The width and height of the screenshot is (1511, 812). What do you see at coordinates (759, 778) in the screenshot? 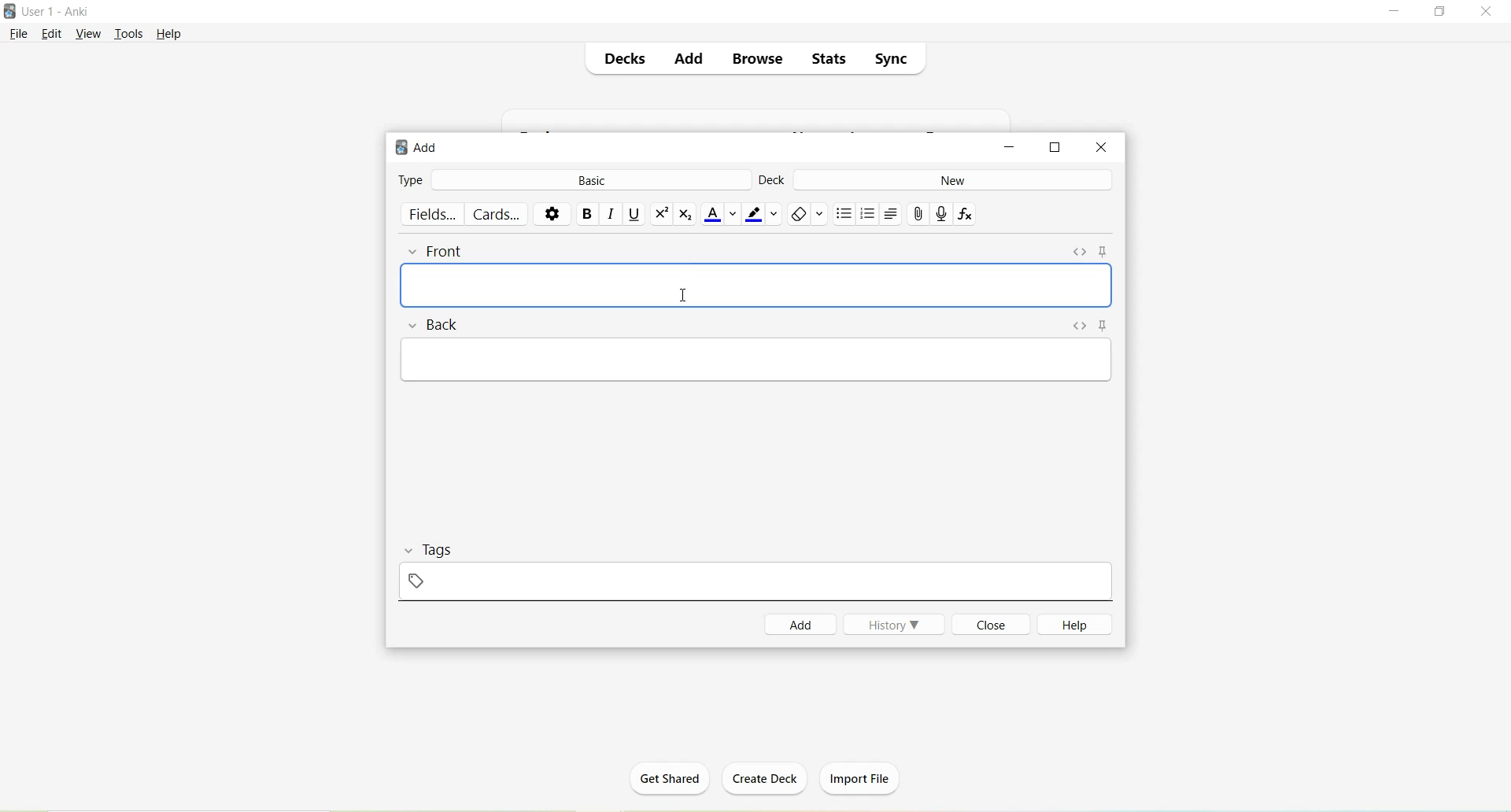
I see `Create Deck` at bounding box center [759, 778].